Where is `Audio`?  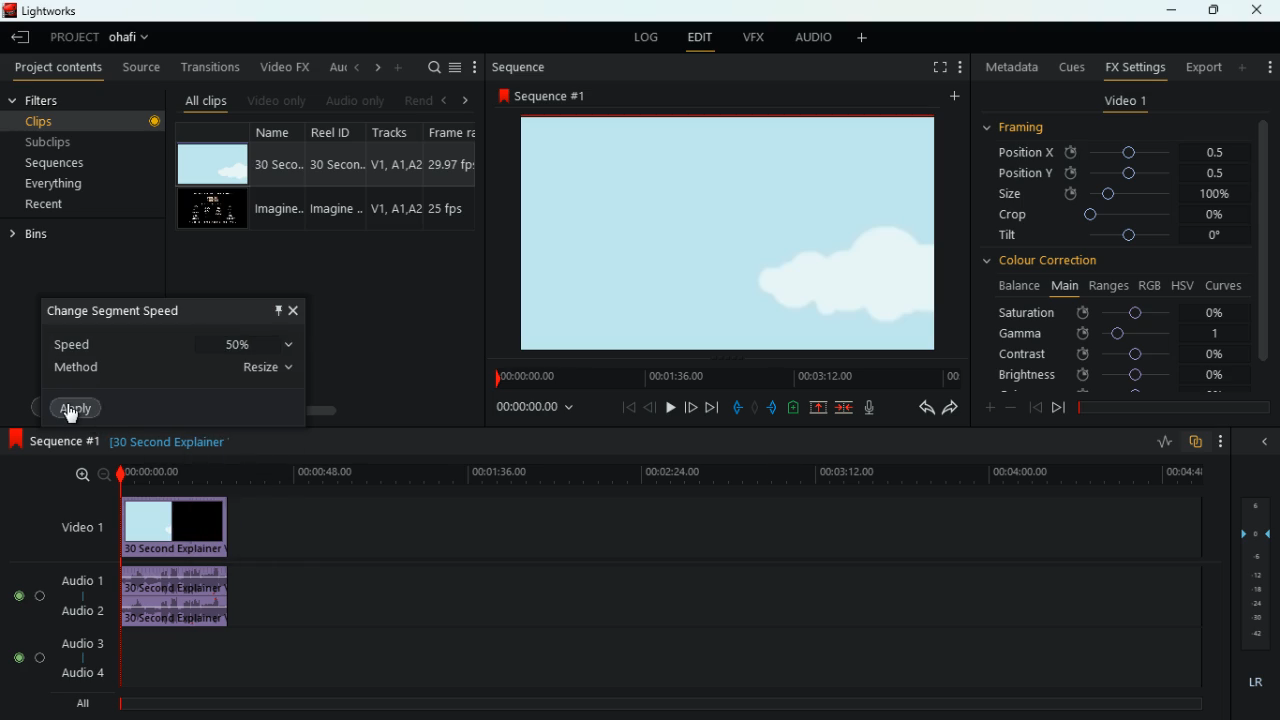
Audio is located at coordinates (28, 658).